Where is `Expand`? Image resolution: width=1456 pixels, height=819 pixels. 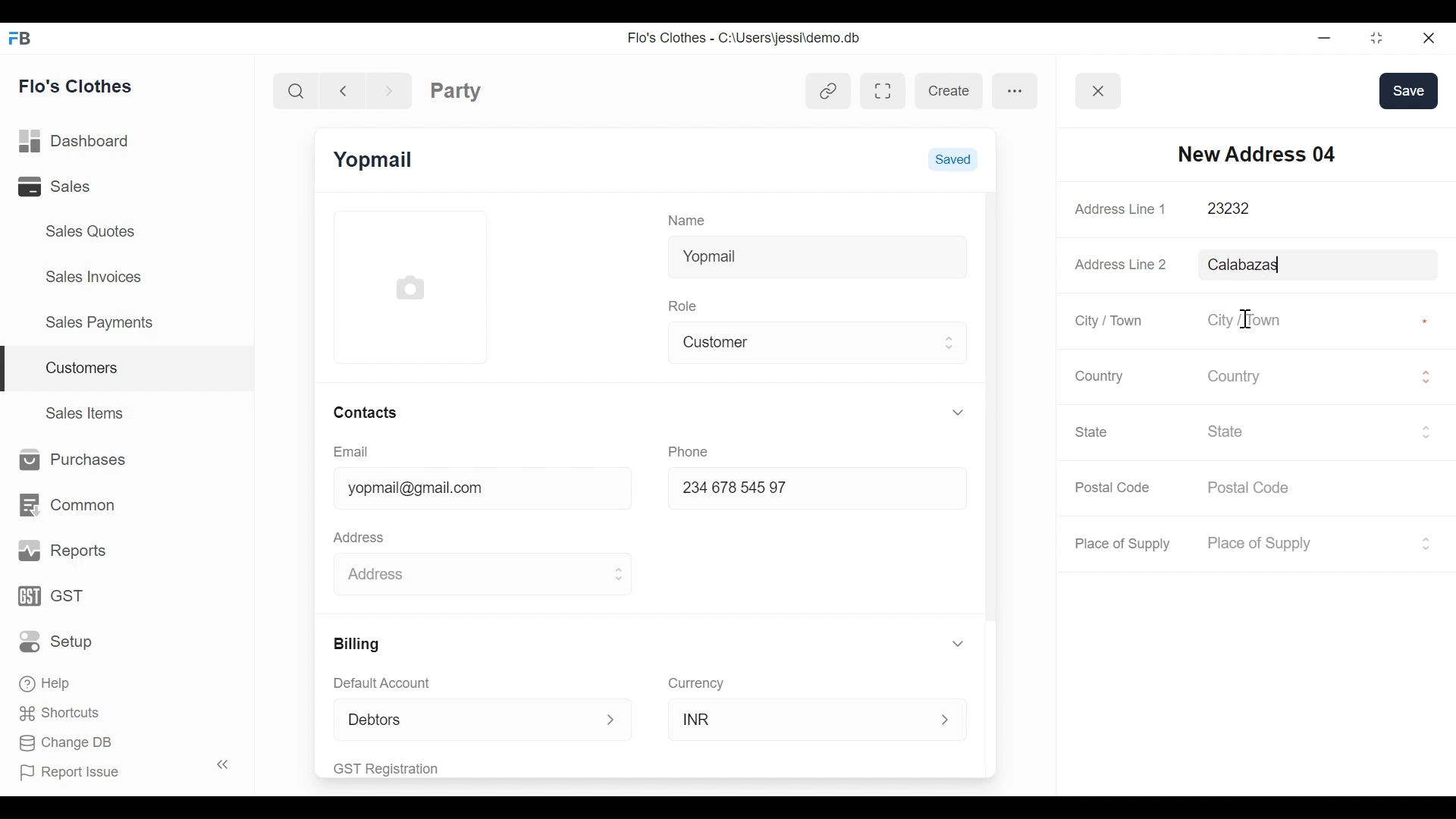
Expand is located at coordinates (1425, 543).